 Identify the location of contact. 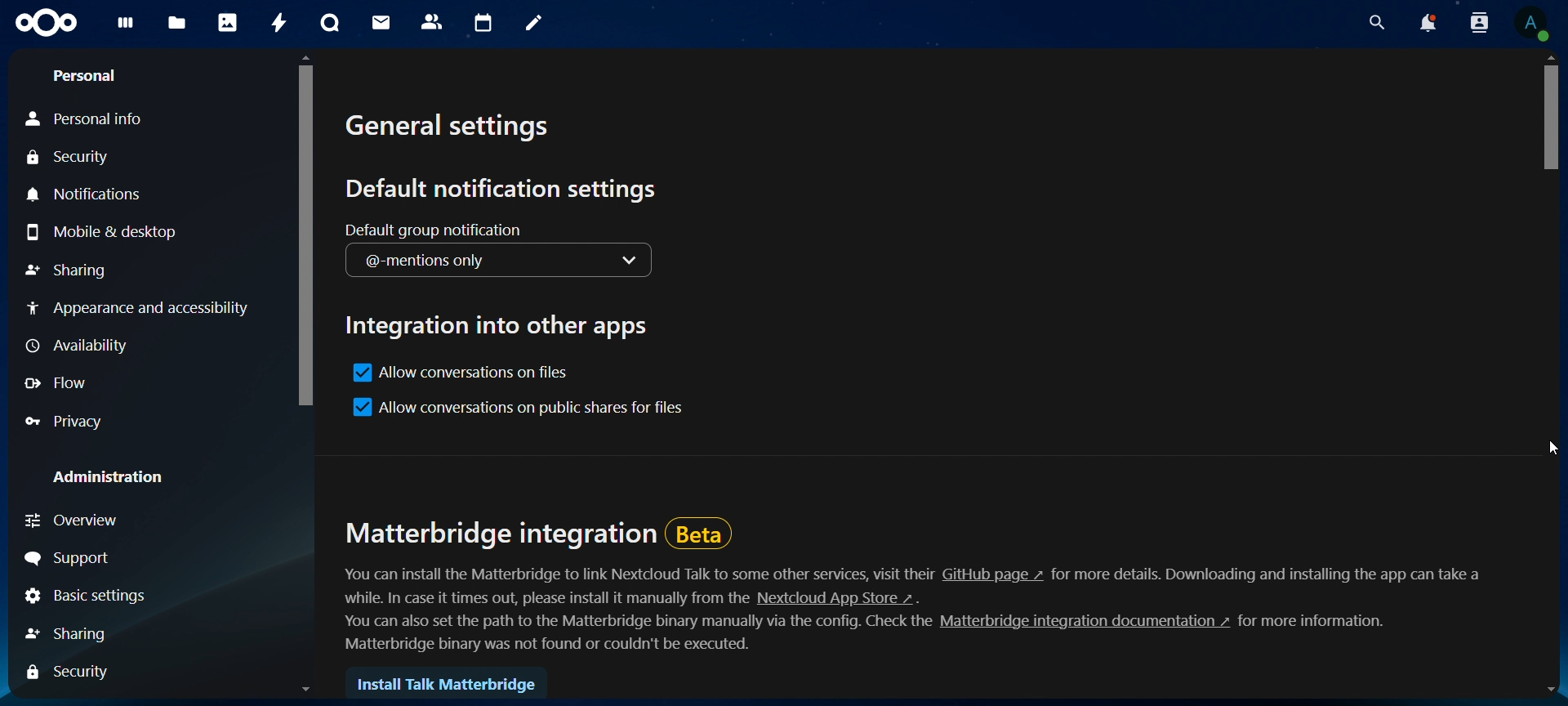
(435, 23).